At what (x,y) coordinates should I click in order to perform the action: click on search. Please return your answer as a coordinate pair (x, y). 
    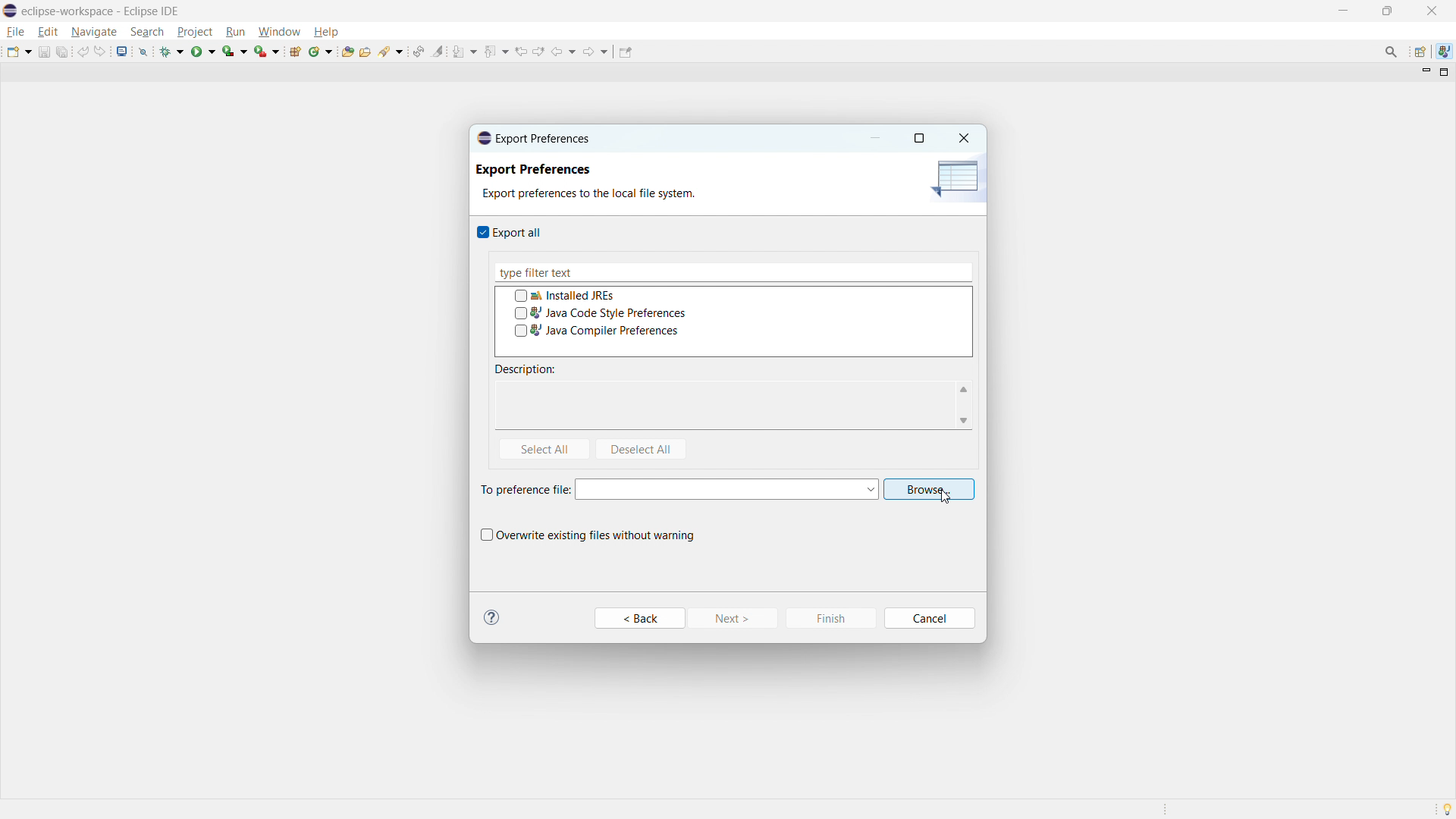
    Looking at the image, I should click on (391, 50).